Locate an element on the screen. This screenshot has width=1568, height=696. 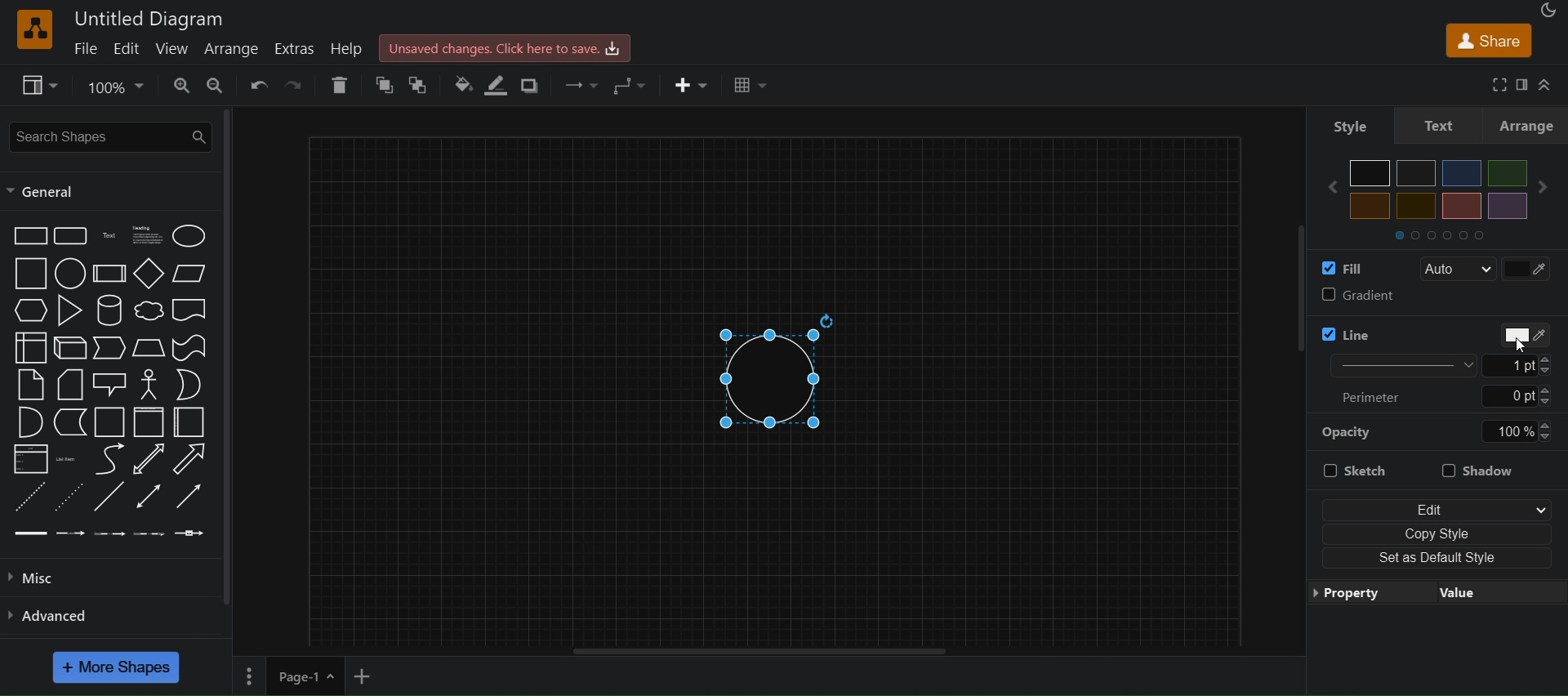
previous is located at coordinates (1325, 187).